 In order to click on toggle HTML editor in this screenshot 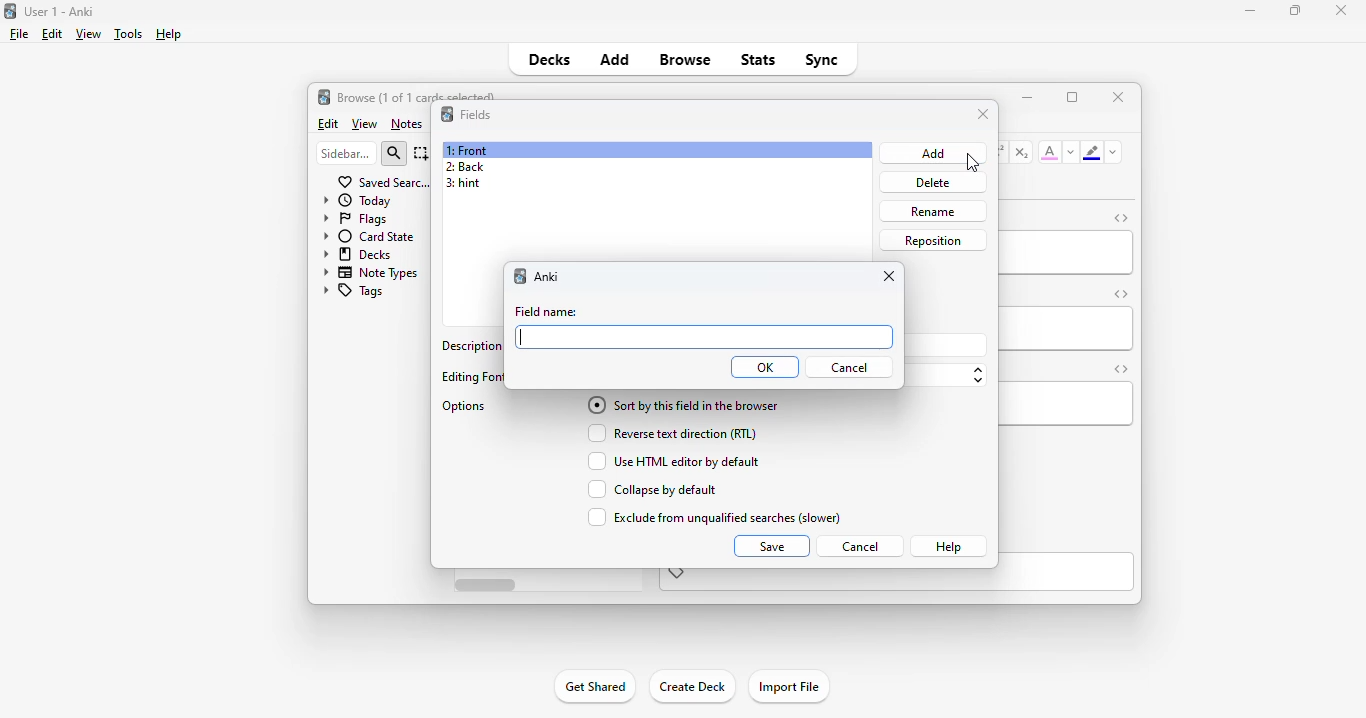, I will do `click(1122, 218)`.